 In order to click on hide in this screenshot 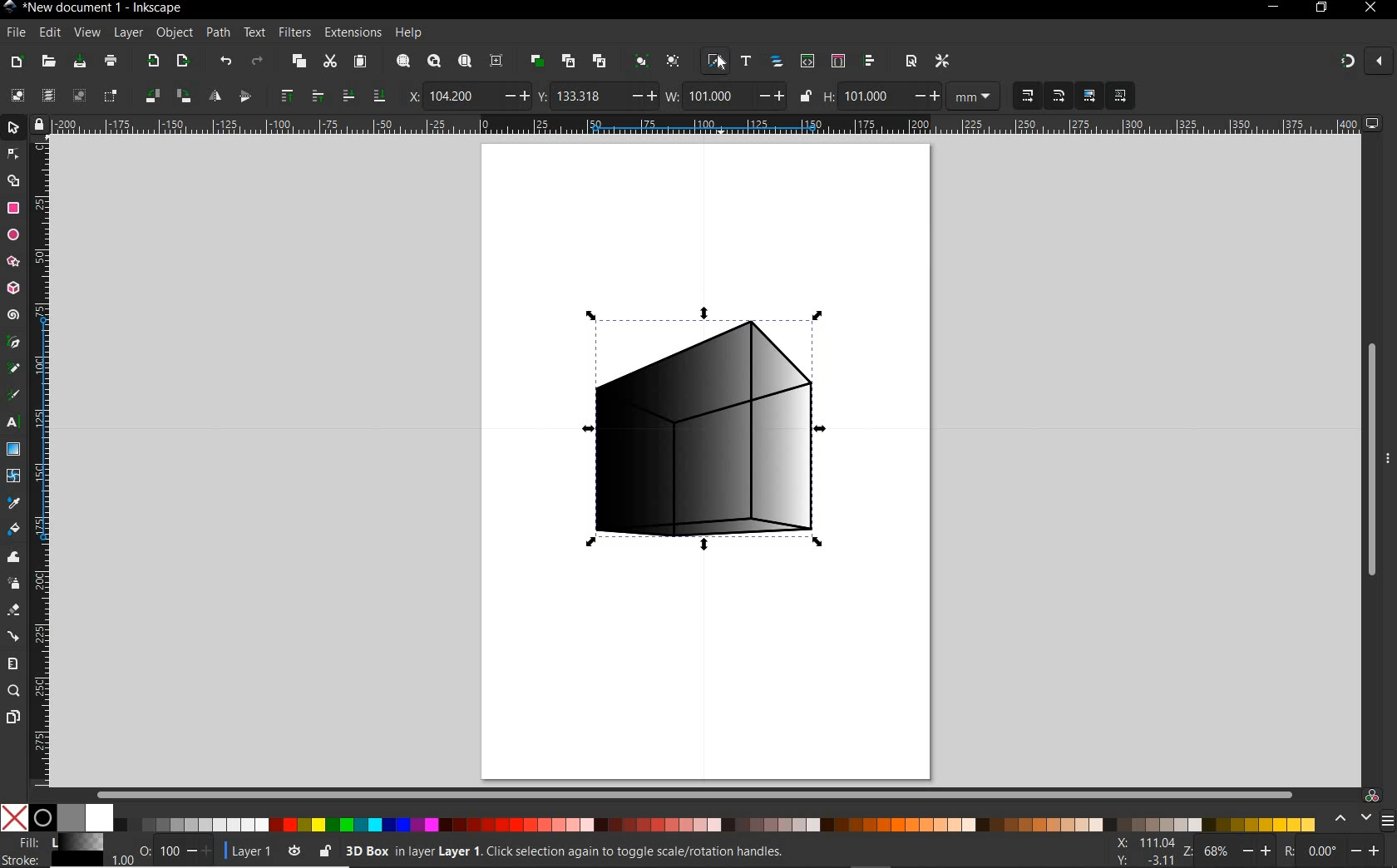, I will do `click(1388, 456)`.